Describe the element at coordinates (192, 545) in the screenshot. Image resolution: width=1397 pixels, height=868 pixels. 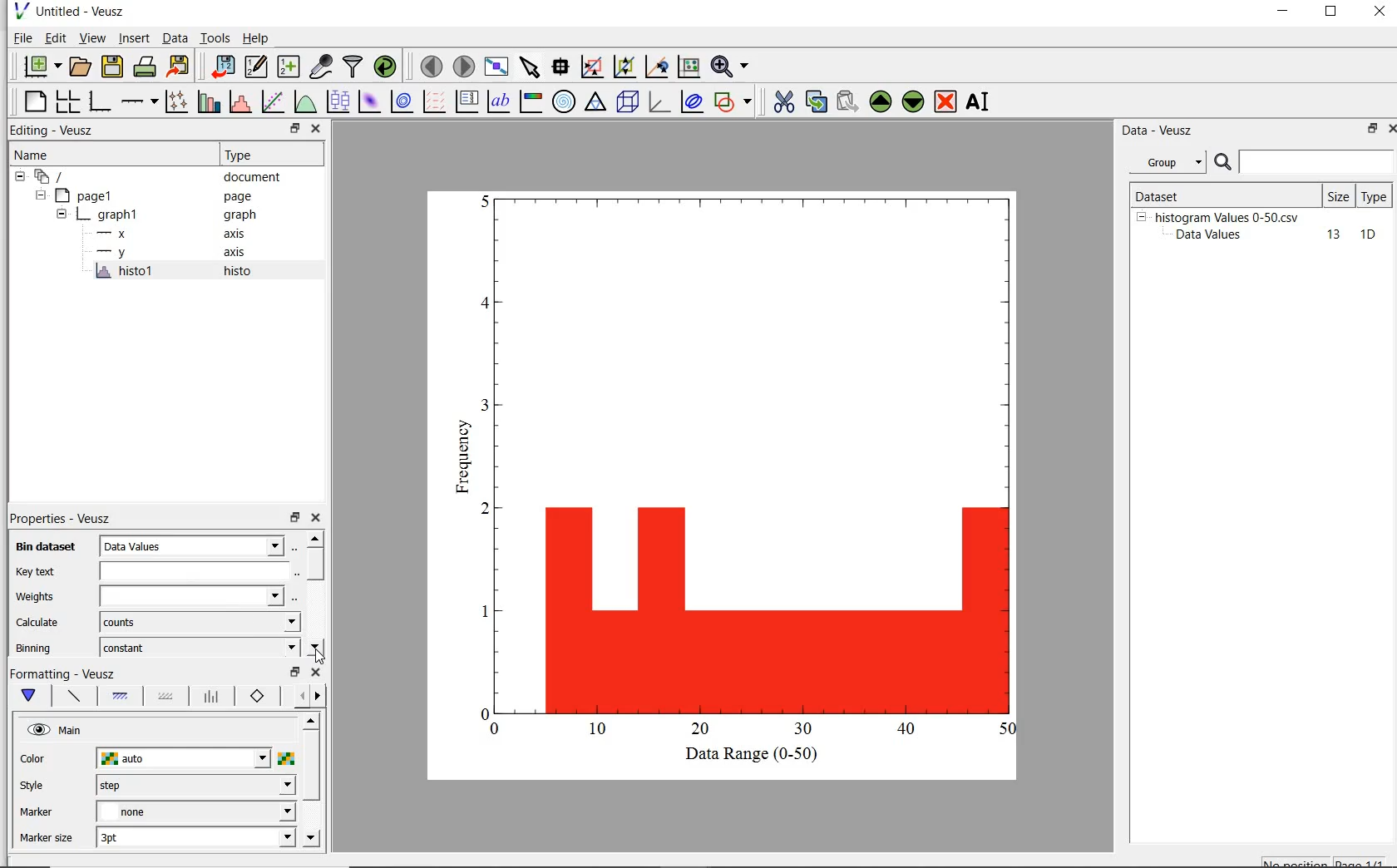
I see `data values` at that location.